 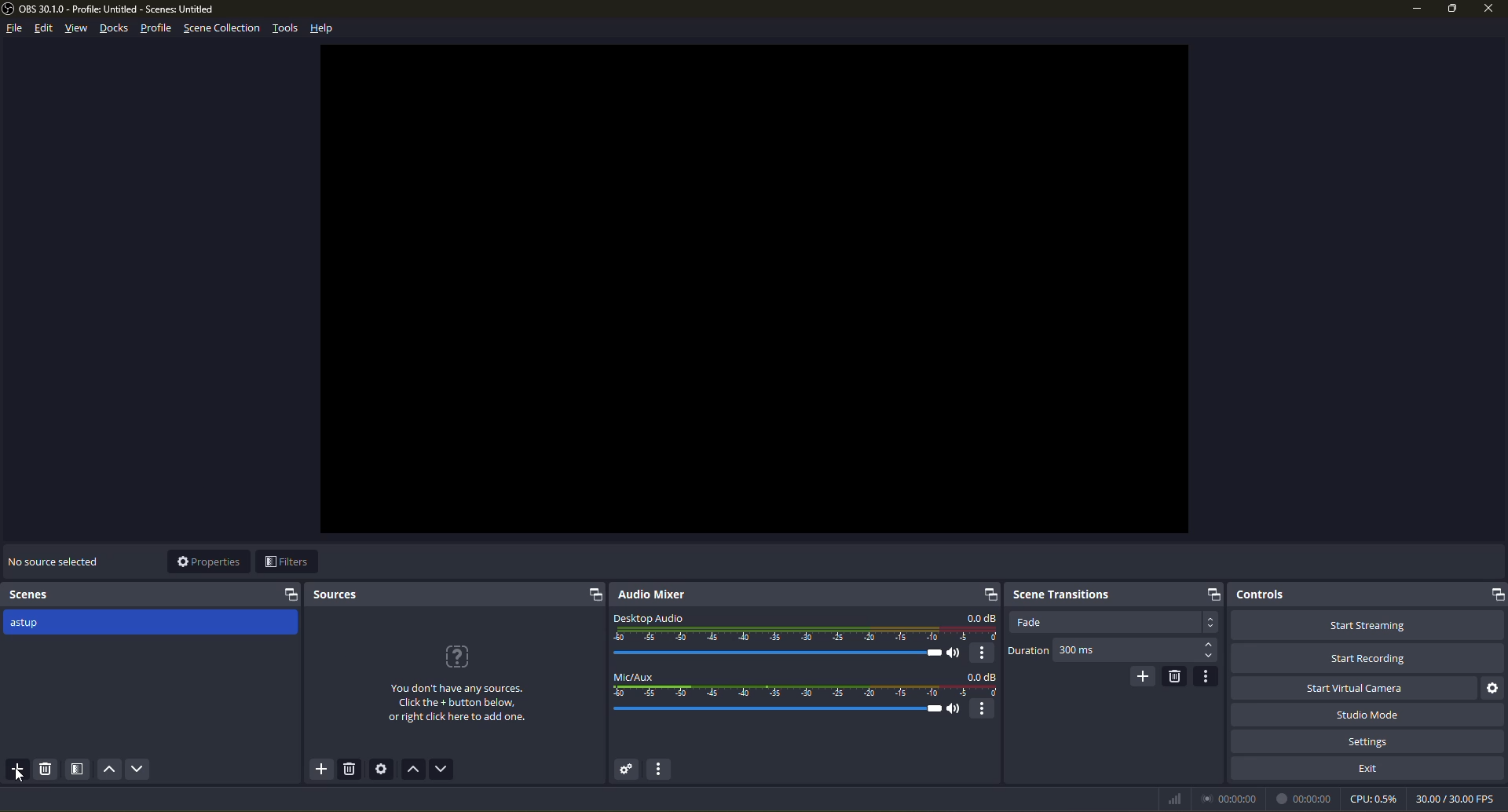 I want to click on audio level, so click(x=806, y=634).